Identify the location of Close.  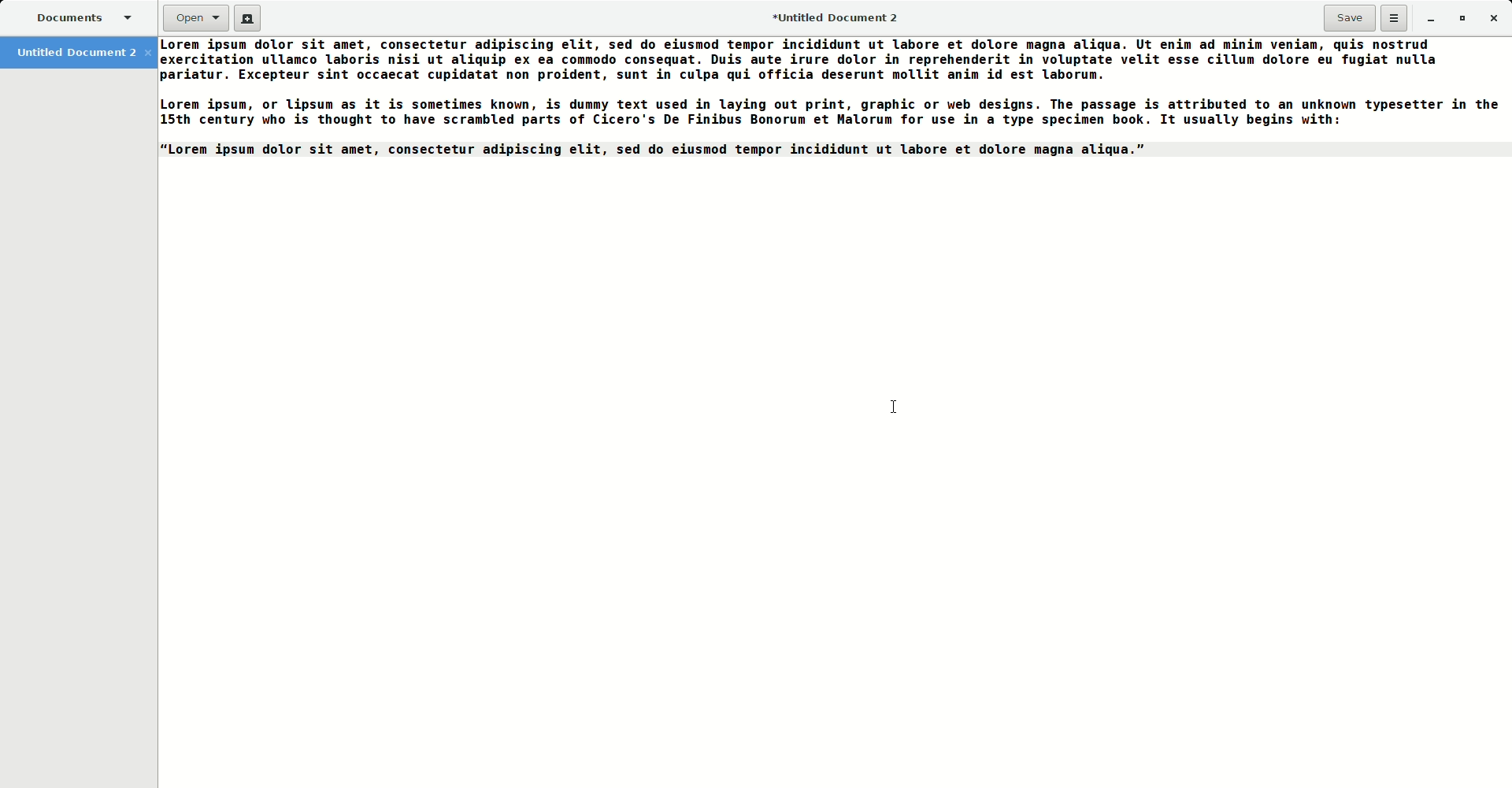
(1495, 19).